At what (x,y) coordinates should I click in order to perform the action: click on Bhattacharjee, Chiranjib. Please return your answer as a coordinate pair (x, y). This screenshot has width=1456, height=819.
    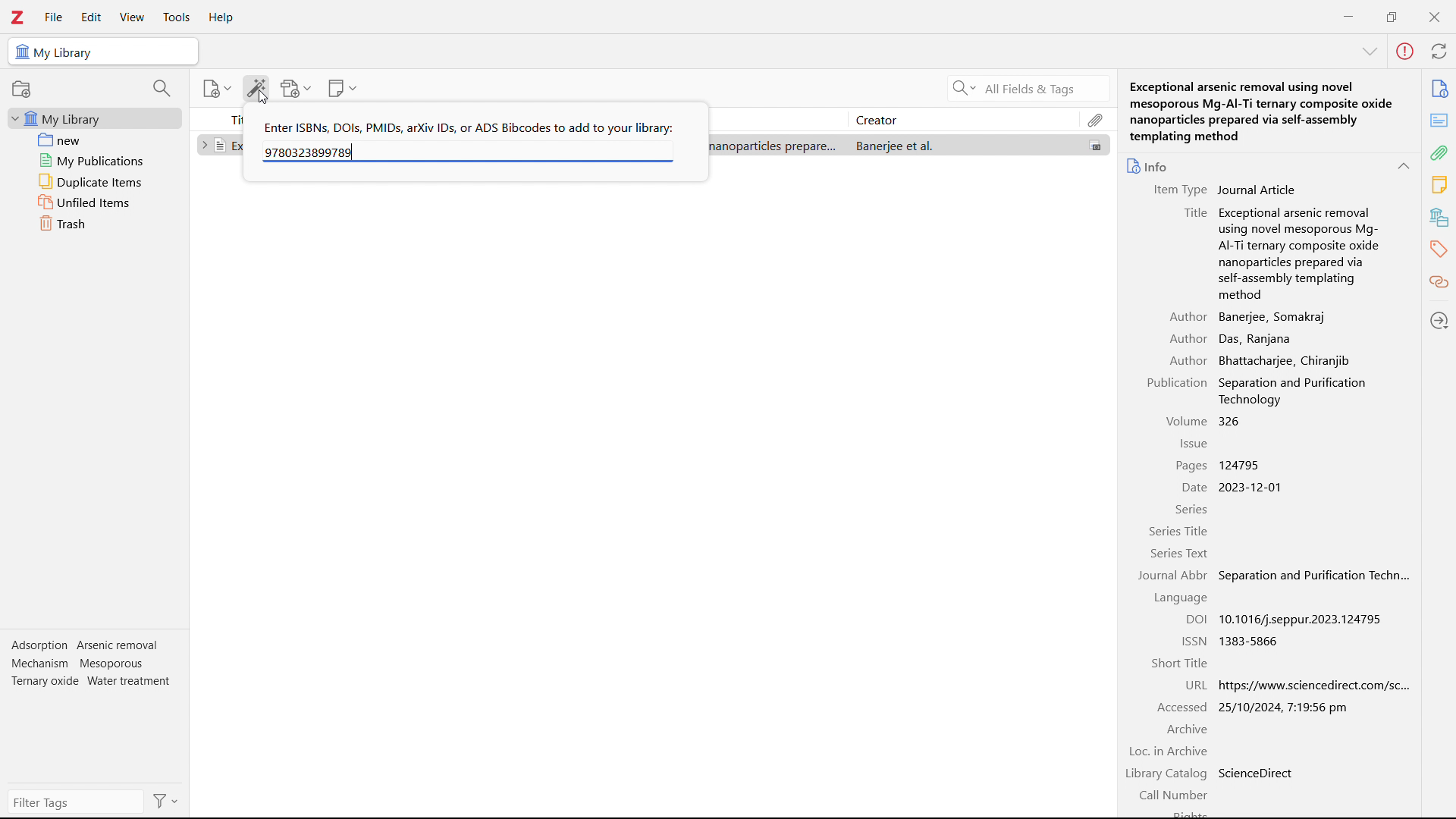
    Looking at the image, I should click on (1285, 360).